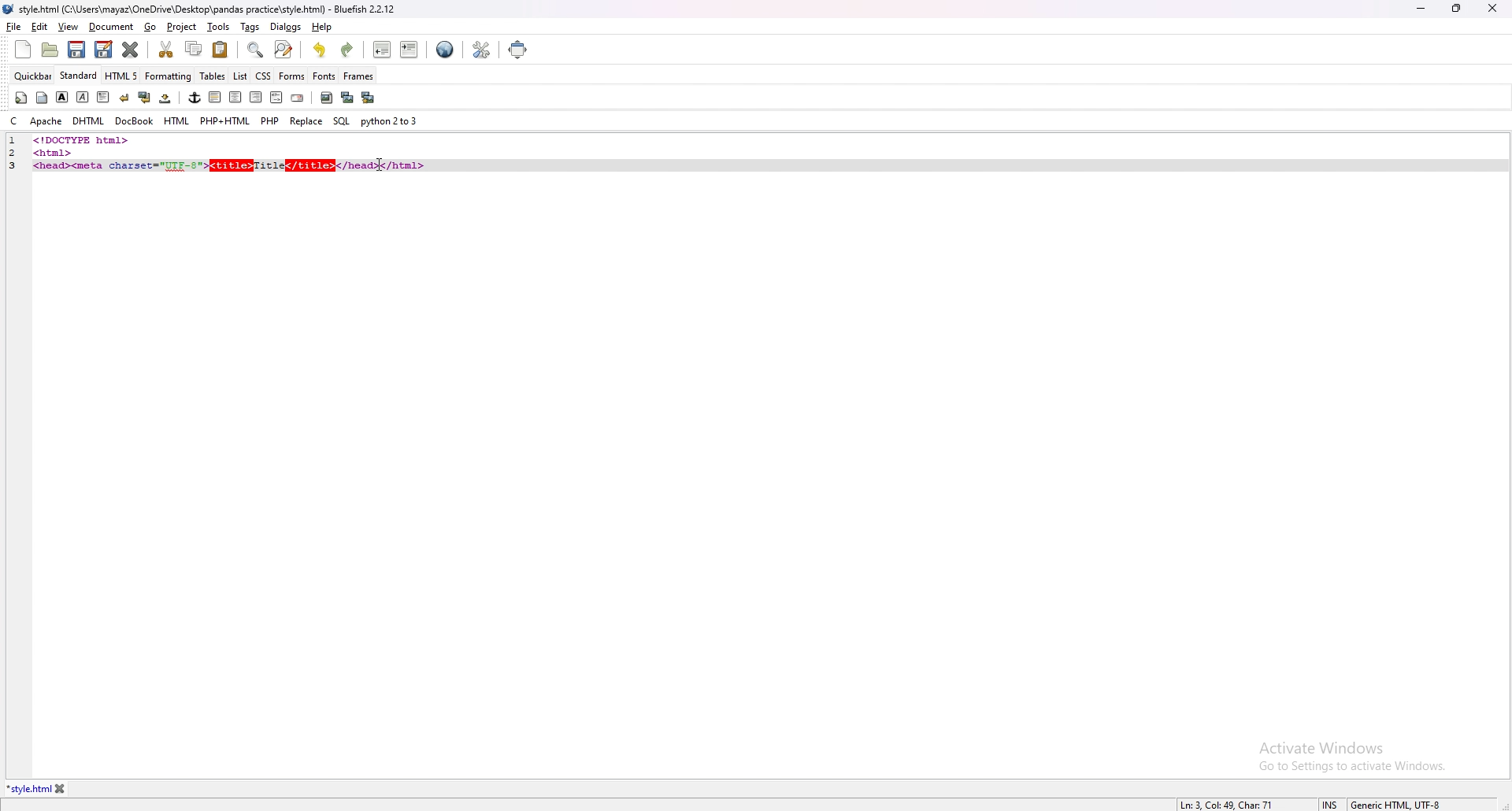 The image size is (1512, 811). What do you see at coordinates (195, 98) in the screenshot?
I see `anchor` at bounding box center [195, 98].